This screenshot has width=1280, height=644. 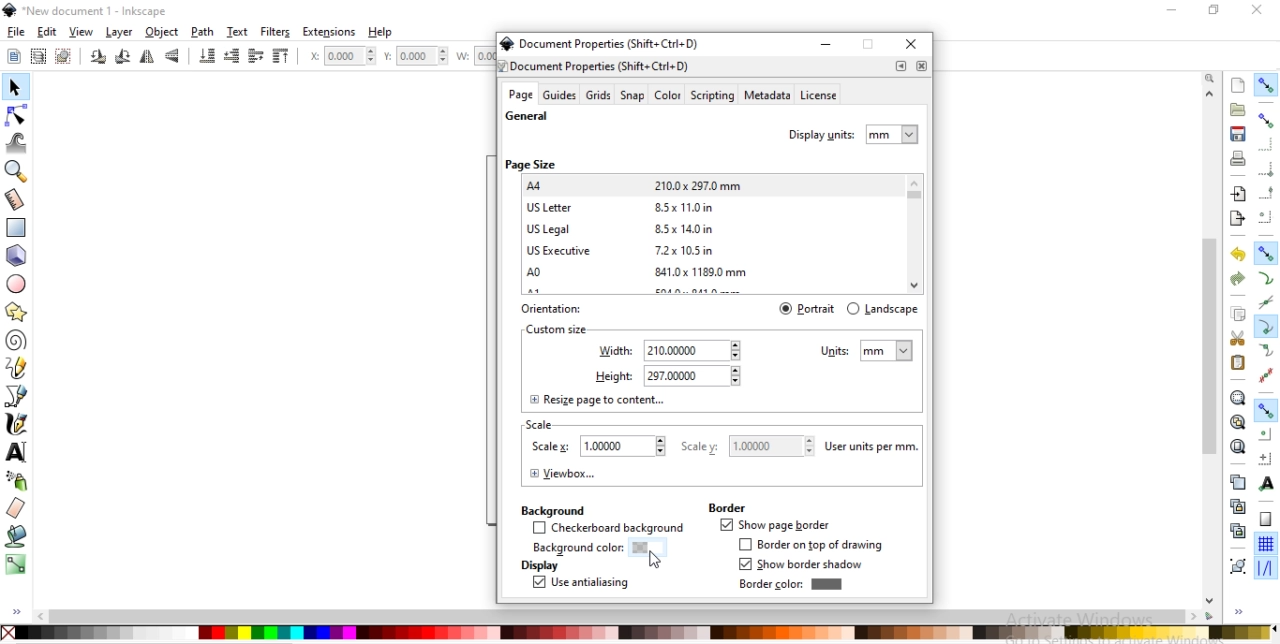 What do you see at coordinates (1237, 398) in the screenshot?
I see `zoom to fit selection` at bounding box center [1237, 398].